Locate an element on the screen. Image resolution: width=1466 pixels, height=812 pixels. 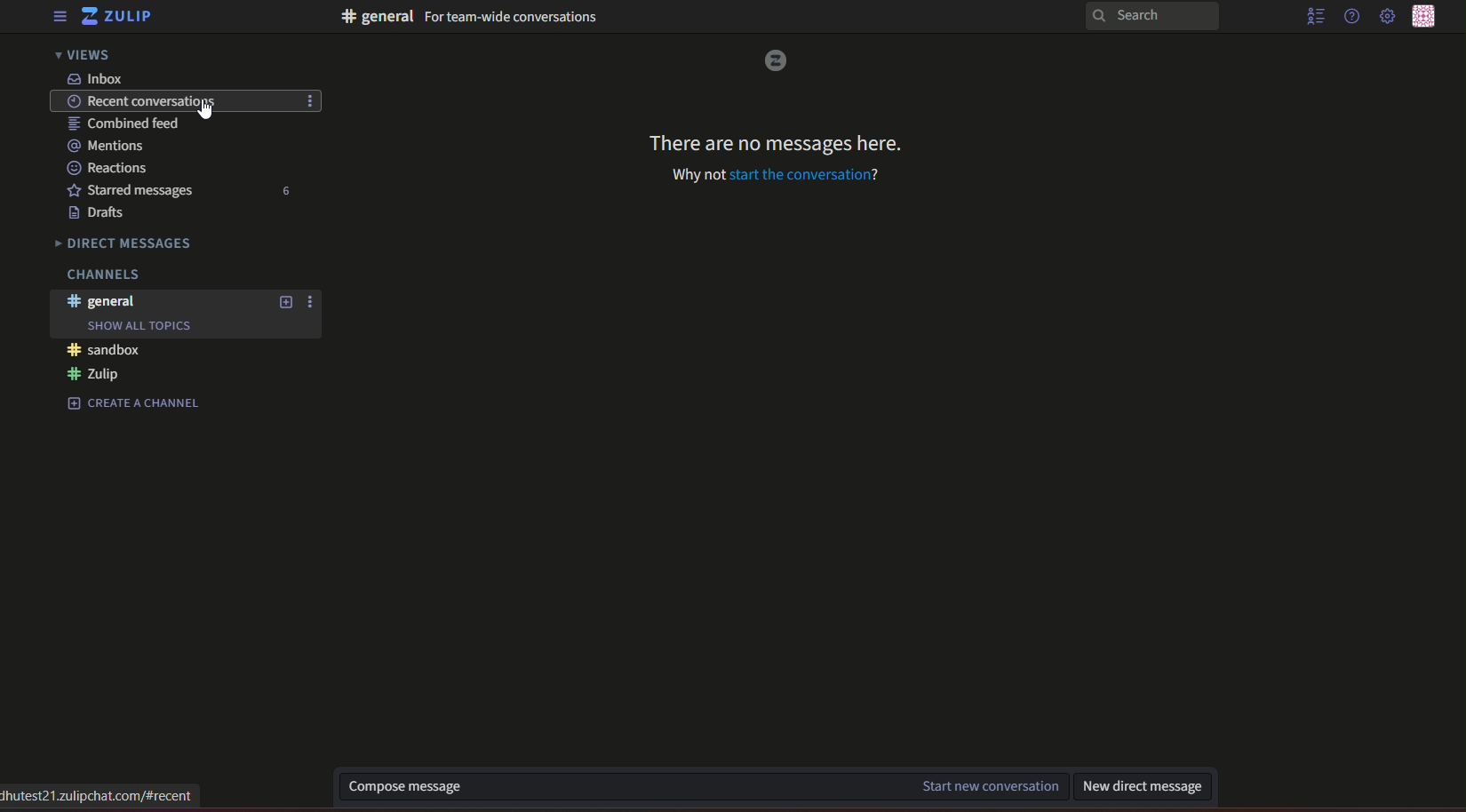
personal menu is located at coordinates (1428, 16).